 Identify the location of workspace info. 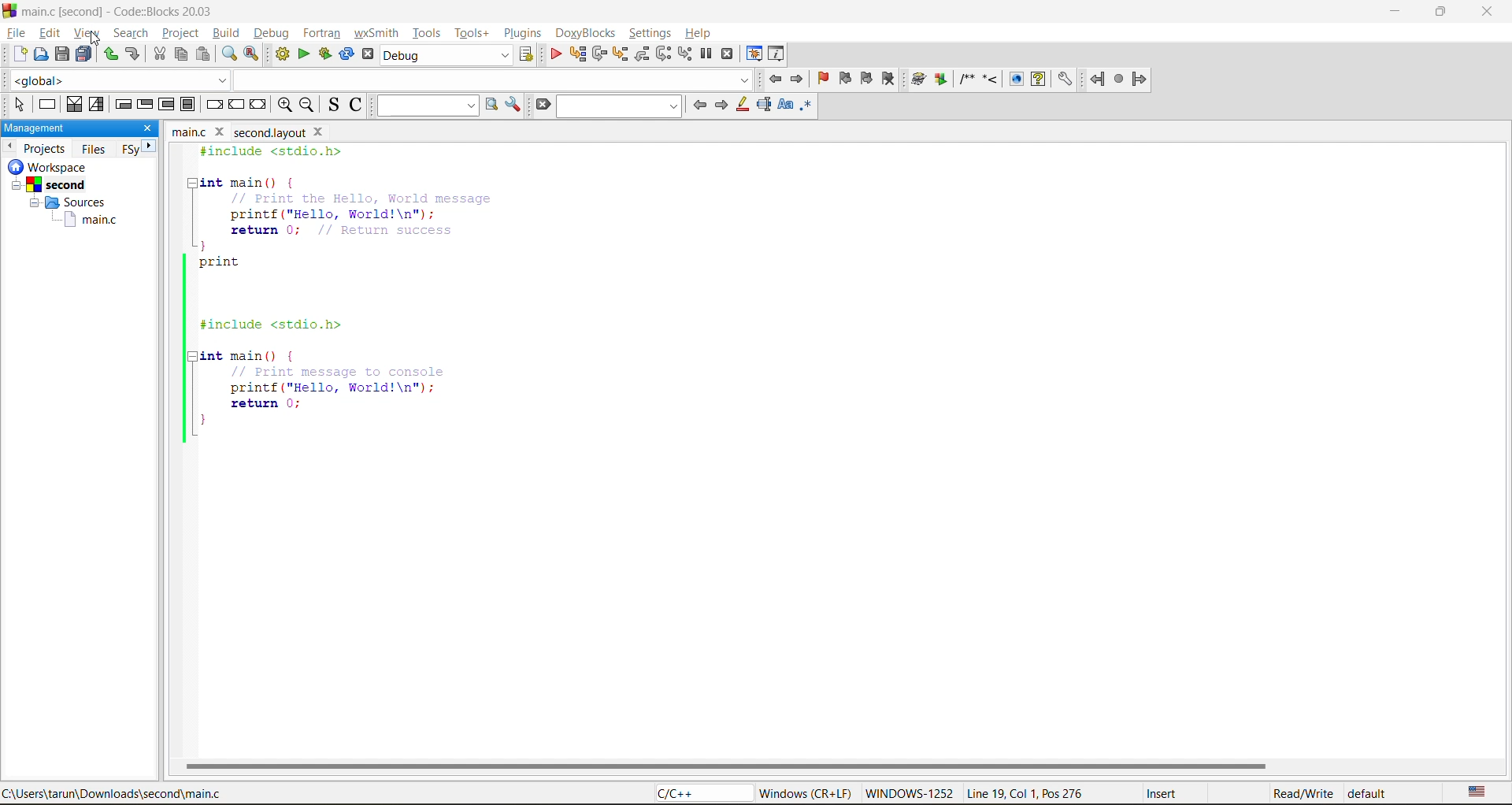
(67, 198).